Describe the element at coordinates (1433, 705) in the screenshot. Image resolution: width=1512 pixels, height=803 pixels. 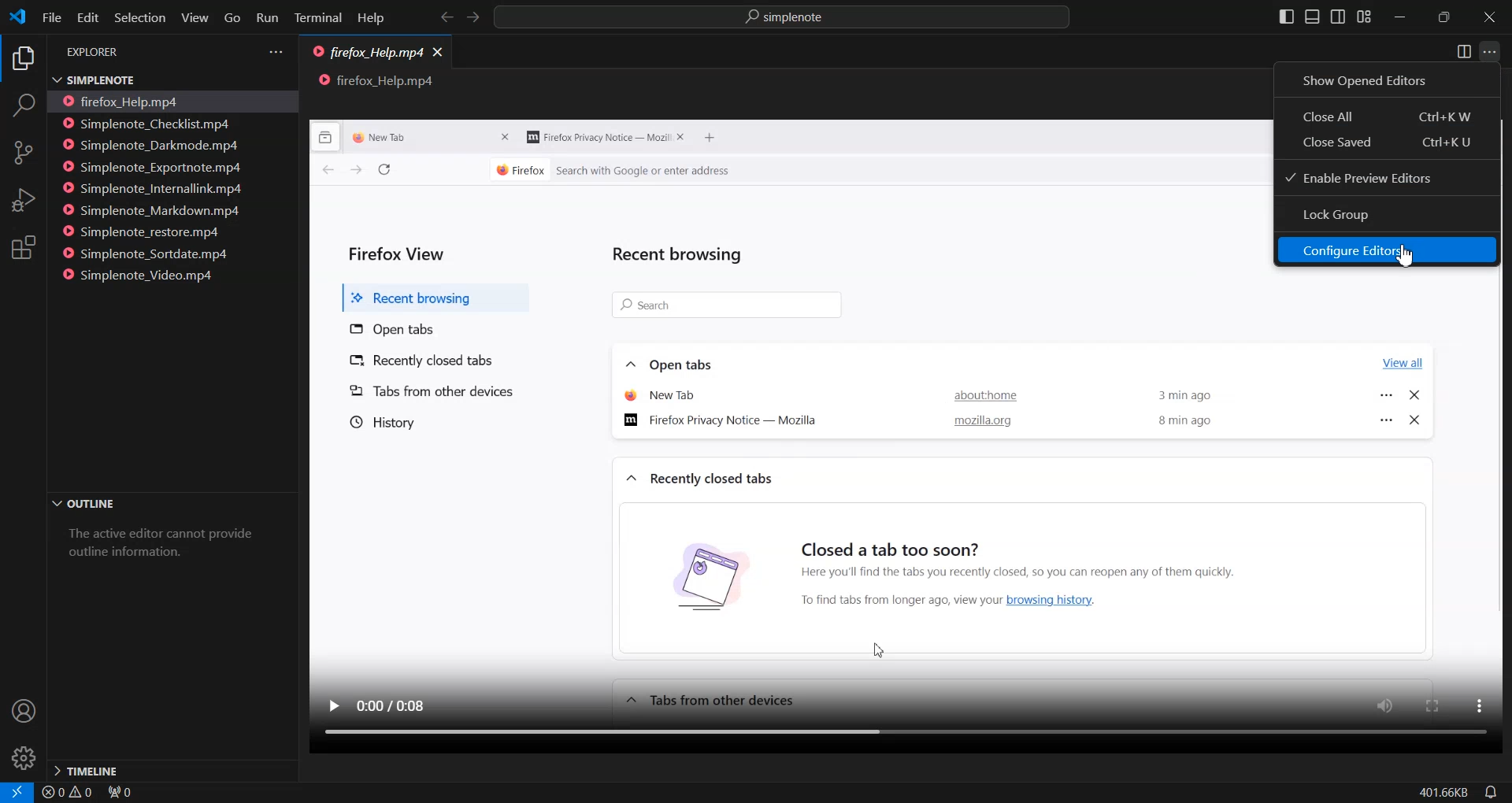
I see `full screen` at that location.